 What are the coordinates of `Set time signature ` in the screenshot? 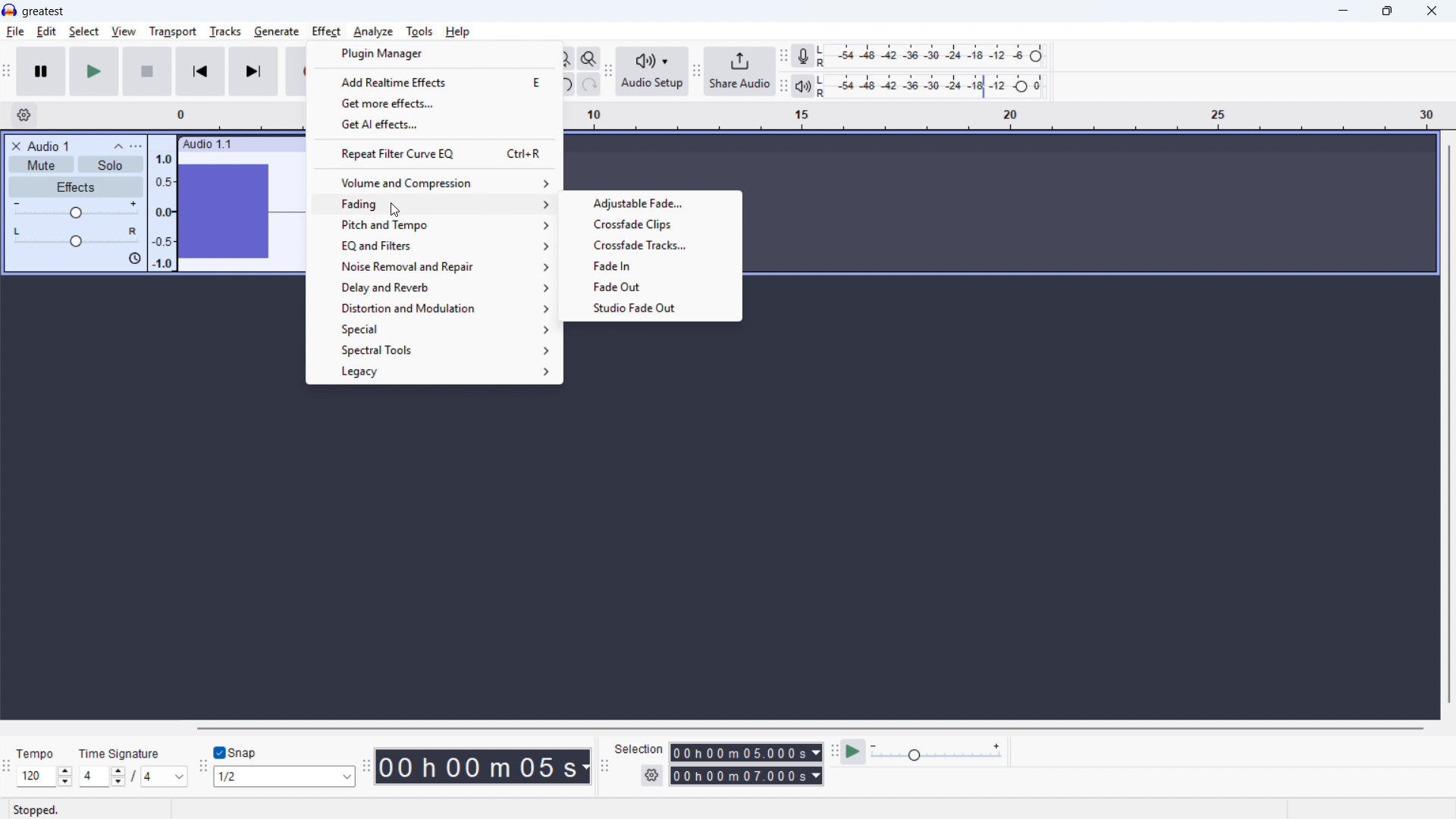 It's located at (134, 777).